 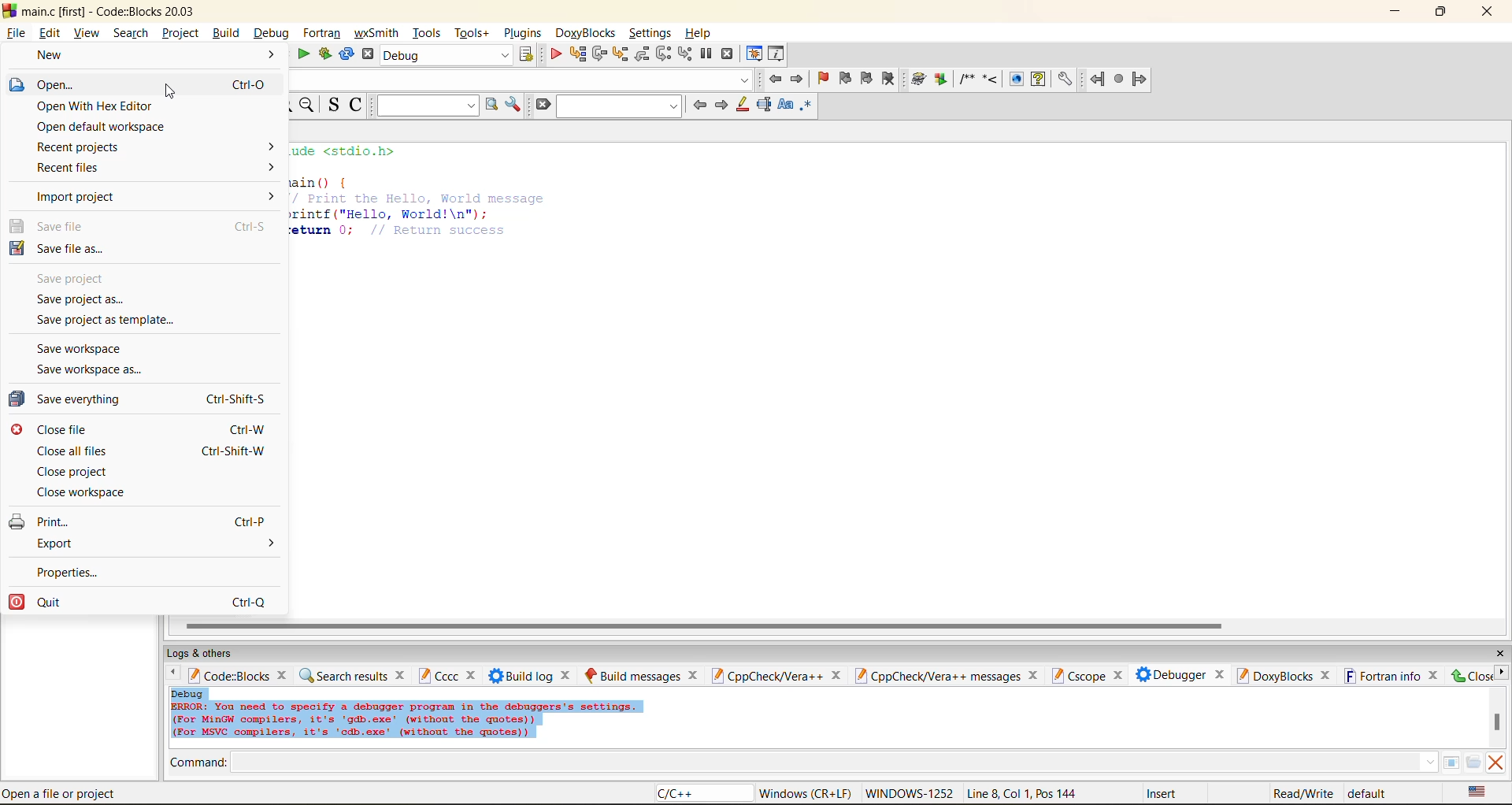 What do you see at coordinates (15, 31) in the screenshot?
I see `file` at bounding box center [15, 31].